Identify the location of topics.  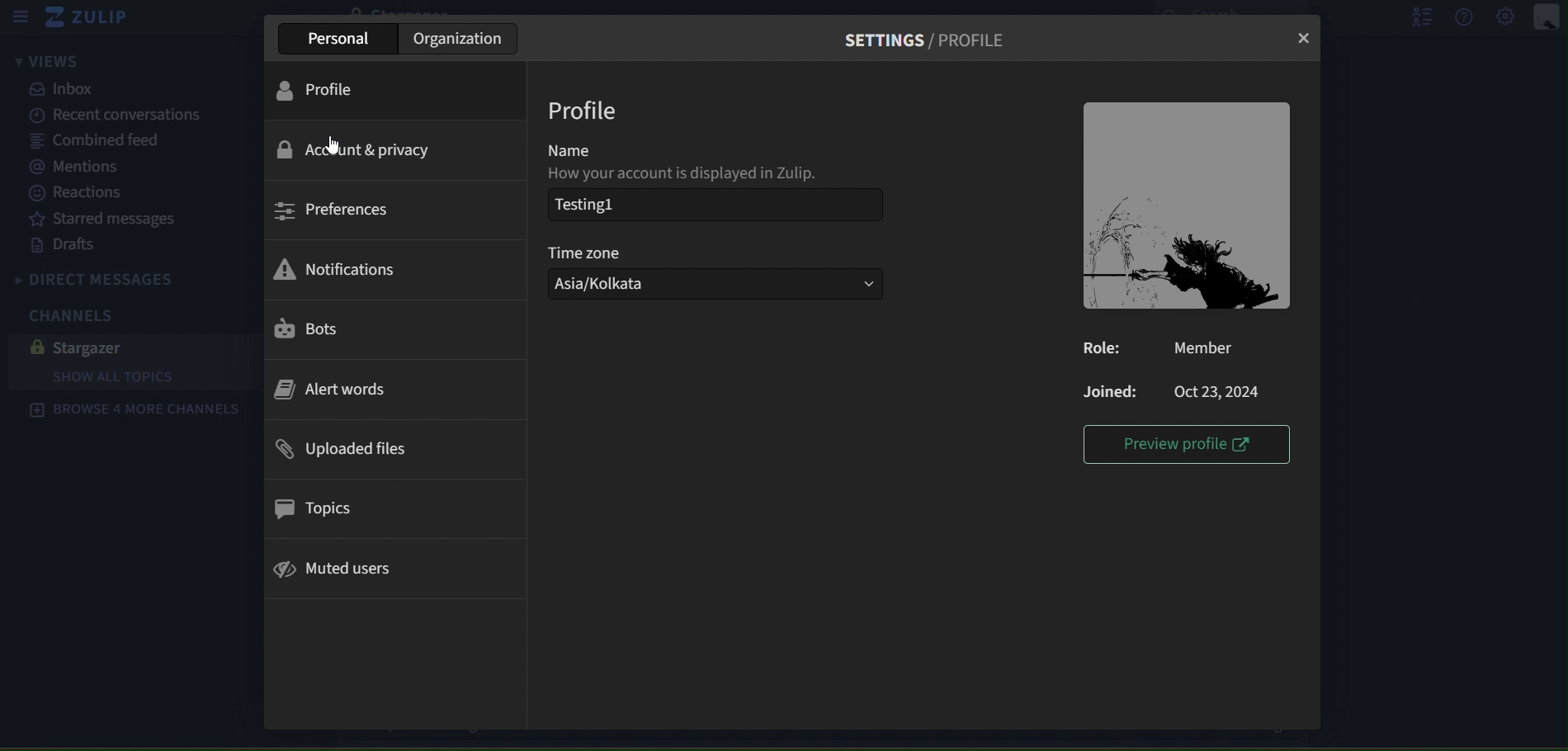
(310, 508).